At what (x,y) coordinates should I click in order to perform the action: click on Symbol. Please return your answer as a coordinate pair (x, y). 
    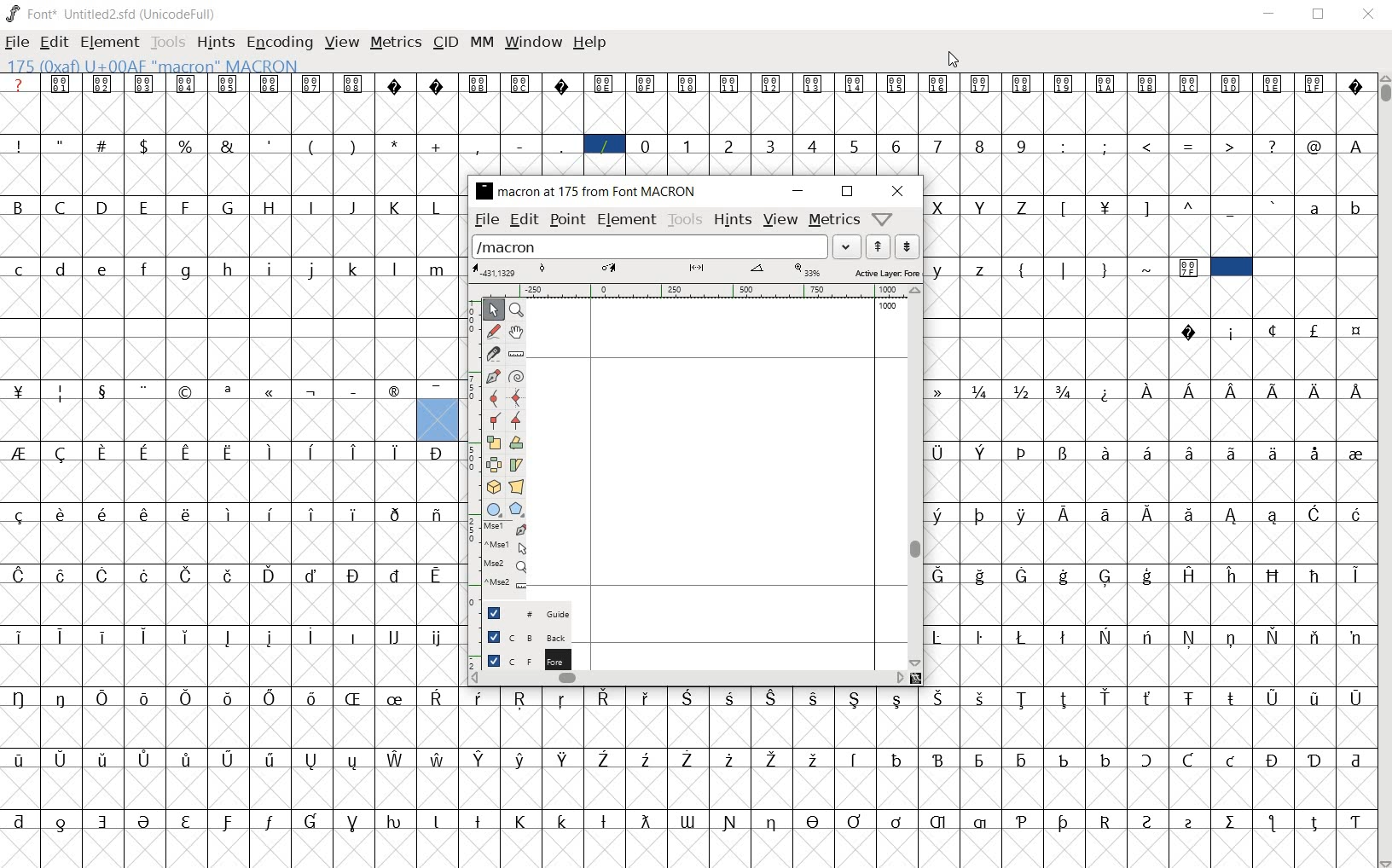
    Looking at the image, I should click on (59, 759).